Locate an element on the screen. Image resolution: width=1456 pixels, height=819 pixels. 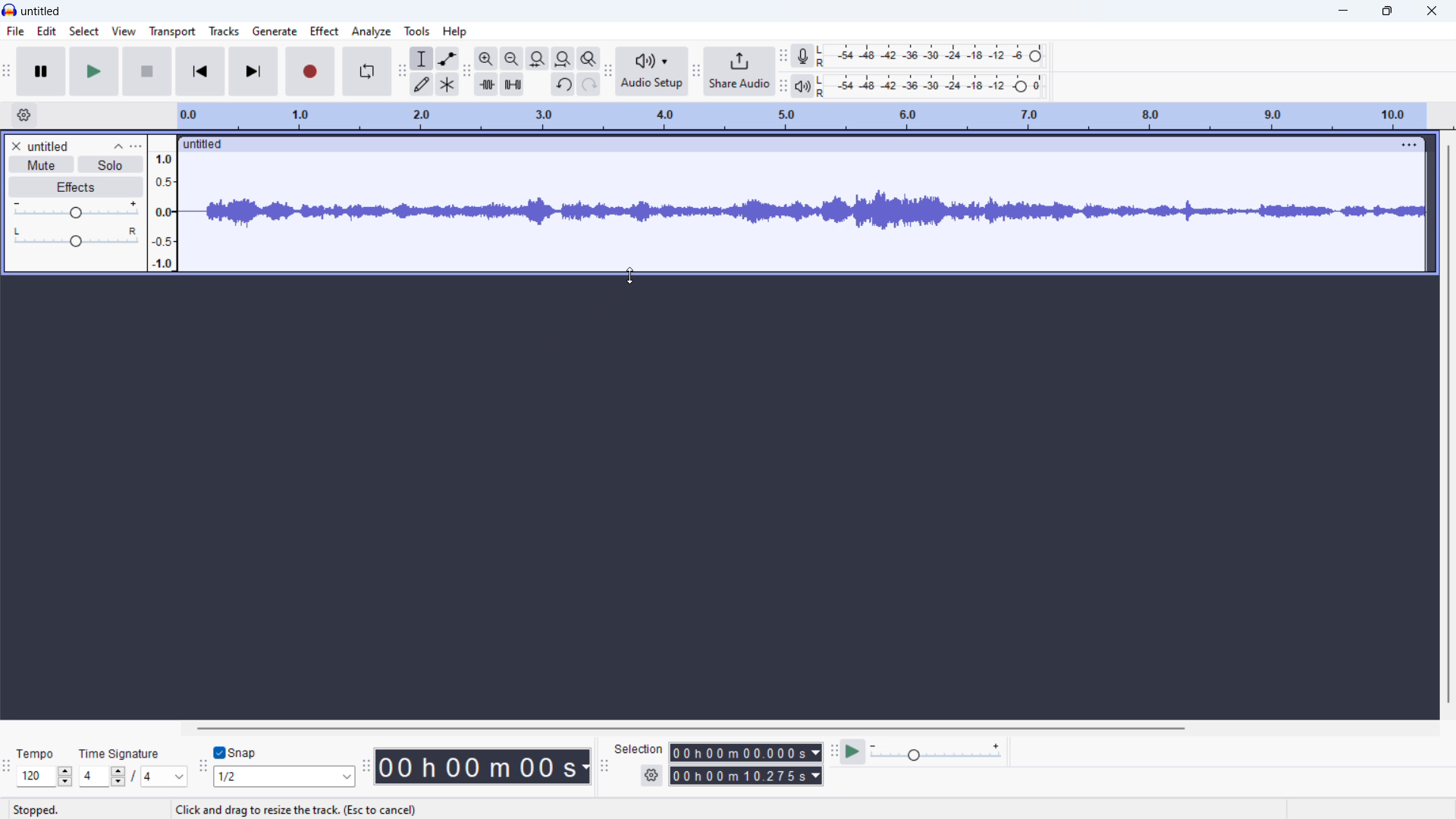
cursor is located at coordinates (628, 277).